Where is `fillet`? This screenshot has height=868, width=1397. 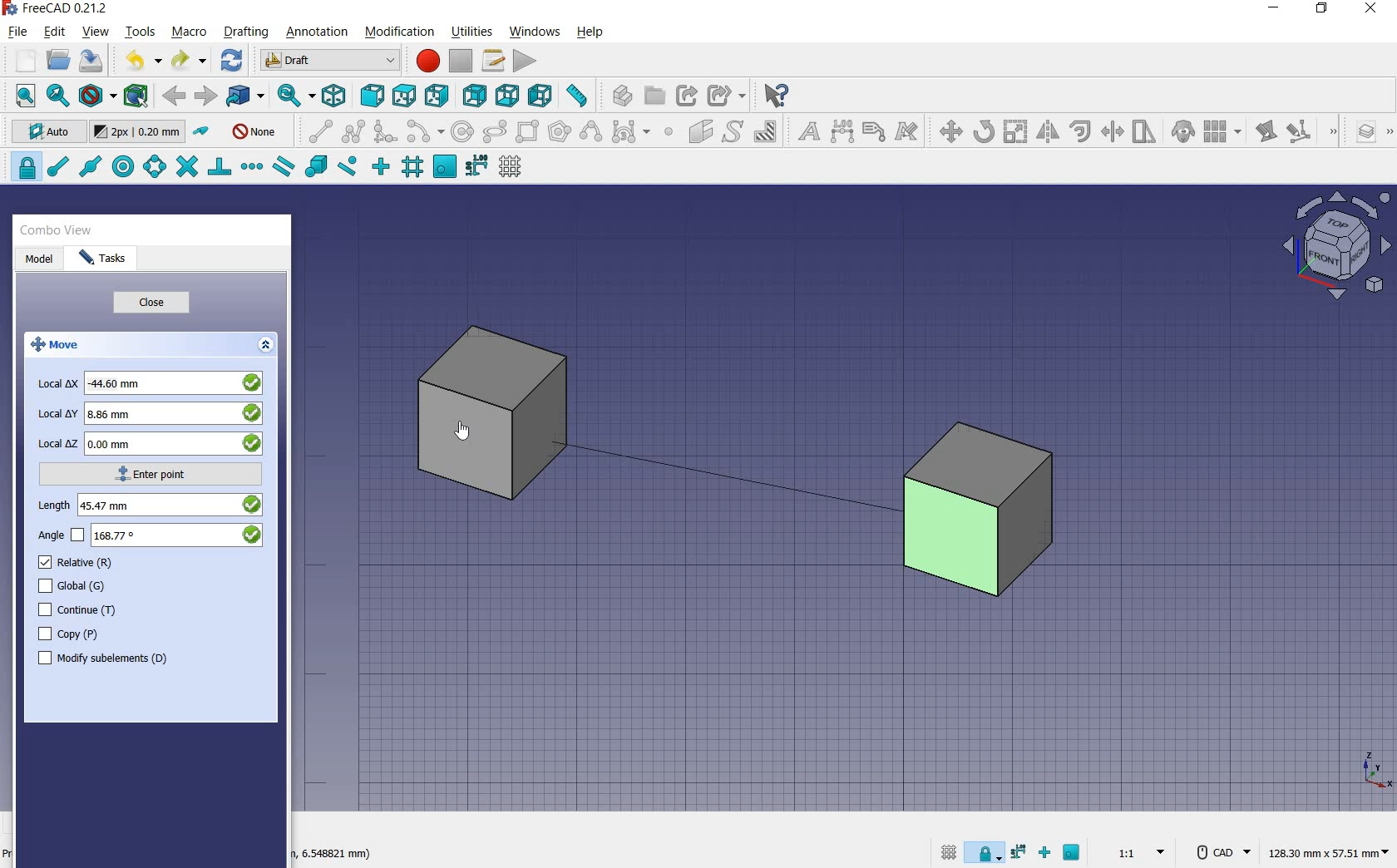
fillet is located at coordinates (384, 131).